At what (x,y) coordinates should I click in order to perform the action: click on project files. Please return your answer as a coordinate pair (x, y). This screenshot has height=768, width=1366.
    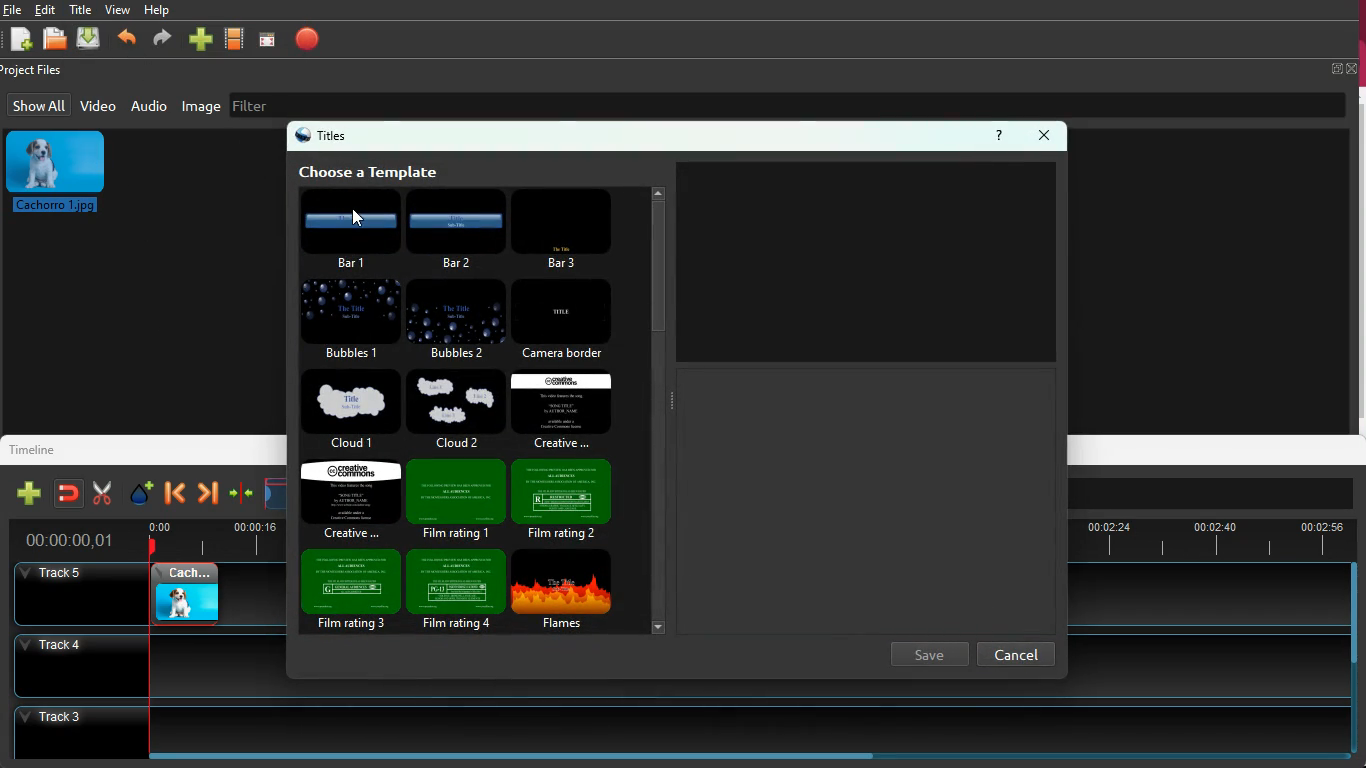
    Looking at the image, I should click on (36, 71).